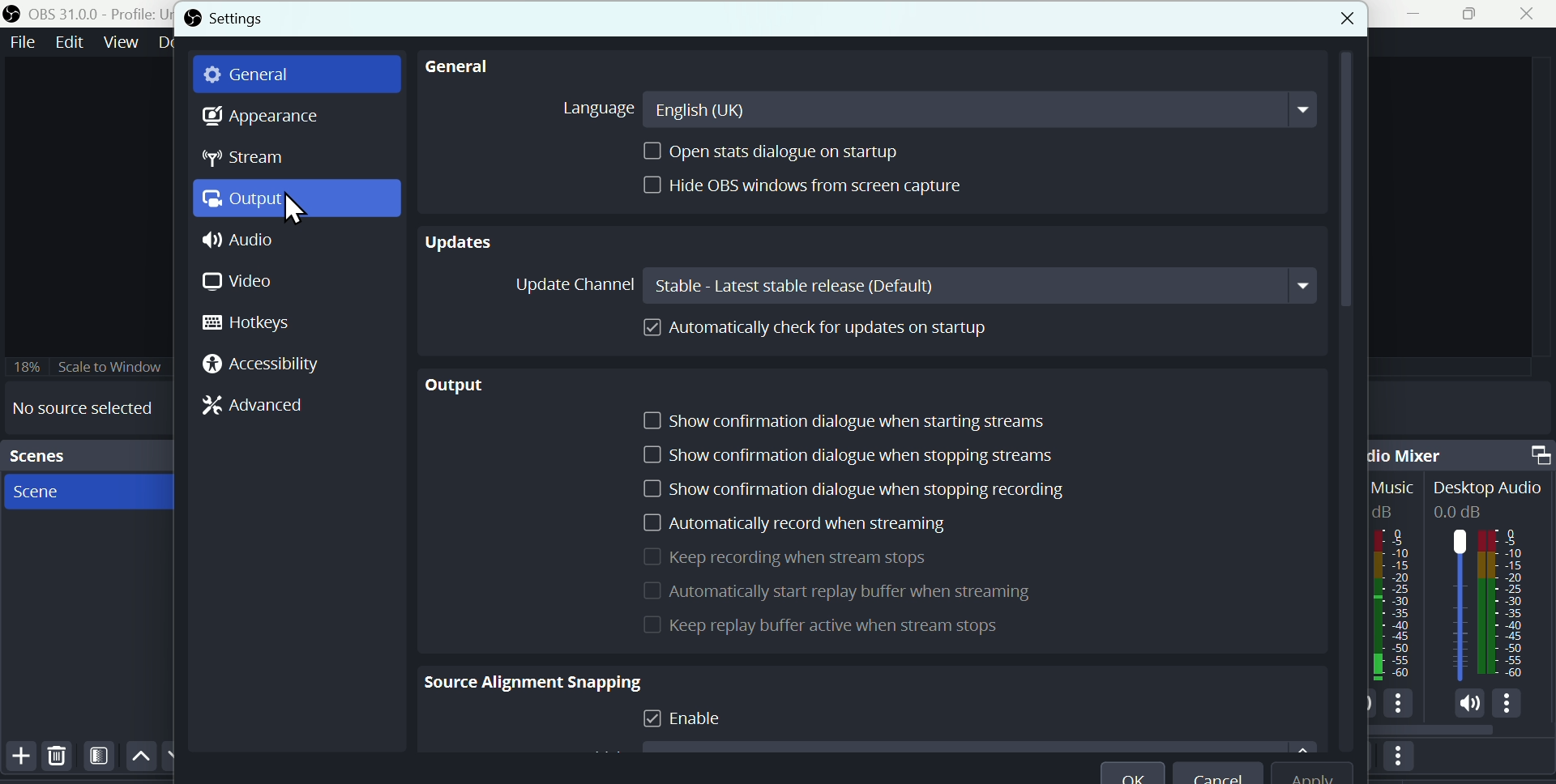  What do you see at coordinates (785, 556) in the screenshot?
I see `Keep recording when Stream stops` at bounding box center [785, 556].